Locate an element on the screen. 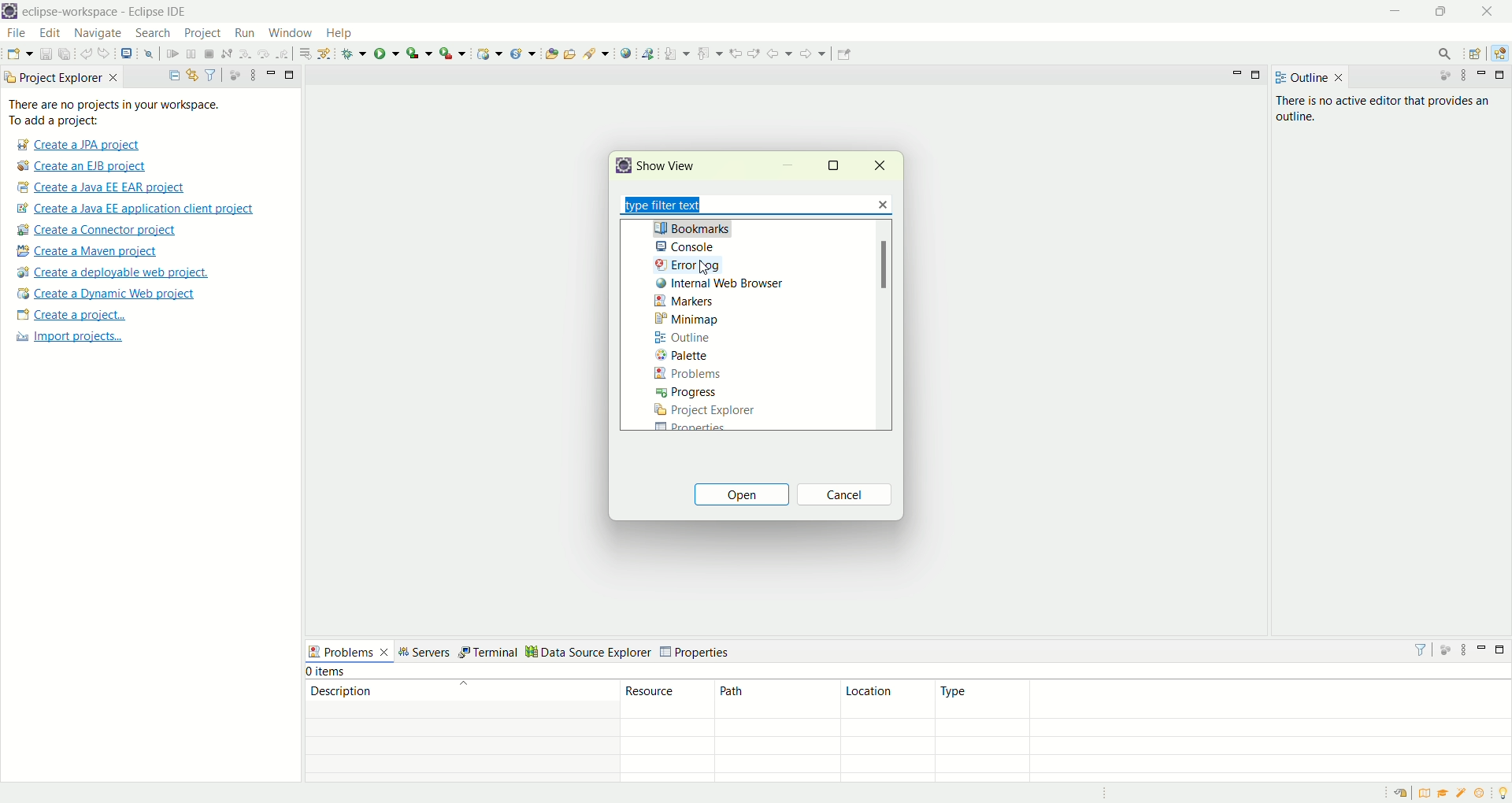 This screenshot has width=1512, height=803. search is located at coordinates (154, 33).